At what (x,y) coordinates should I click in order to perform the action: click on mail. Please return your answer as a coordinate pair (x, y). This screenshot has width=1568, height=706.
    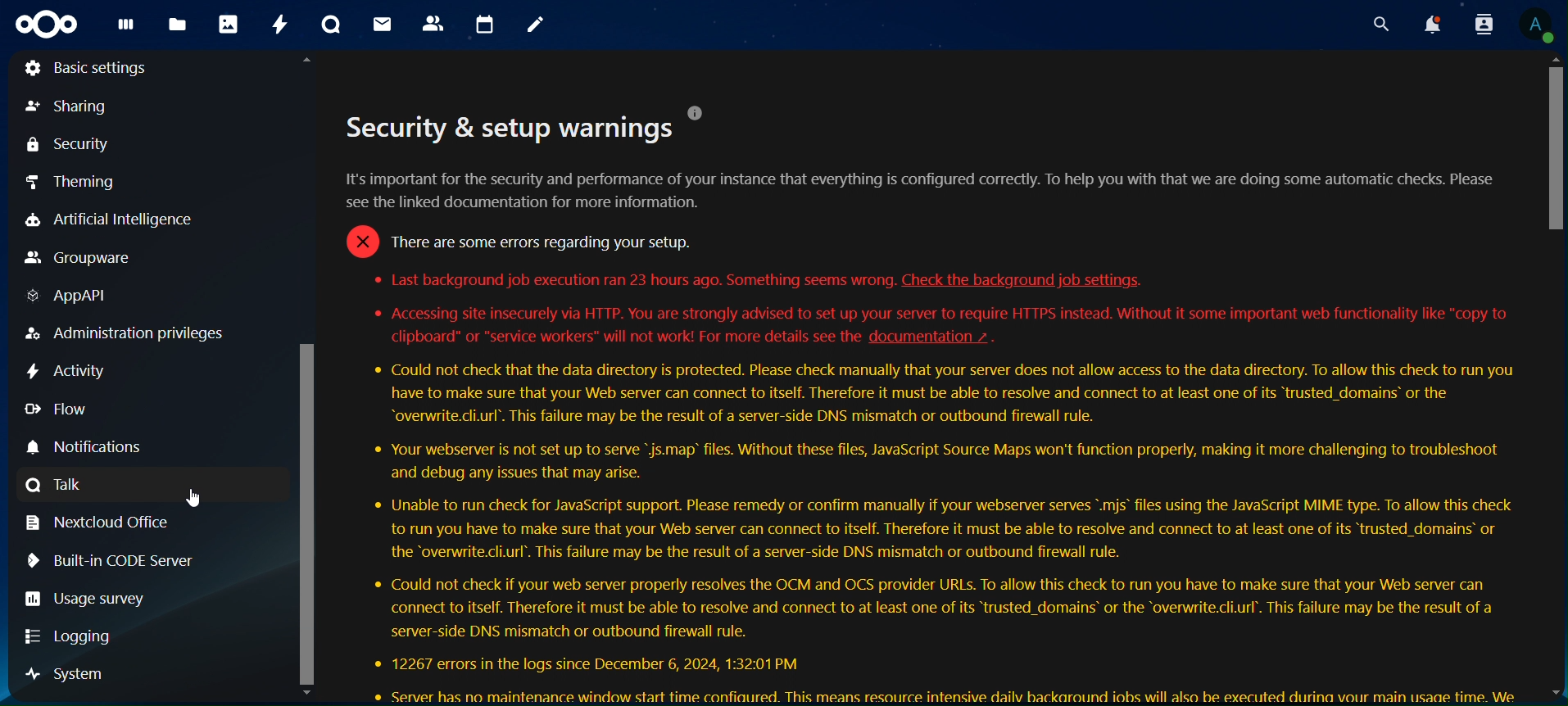
    Looking at the image, I should click on (383, 25).